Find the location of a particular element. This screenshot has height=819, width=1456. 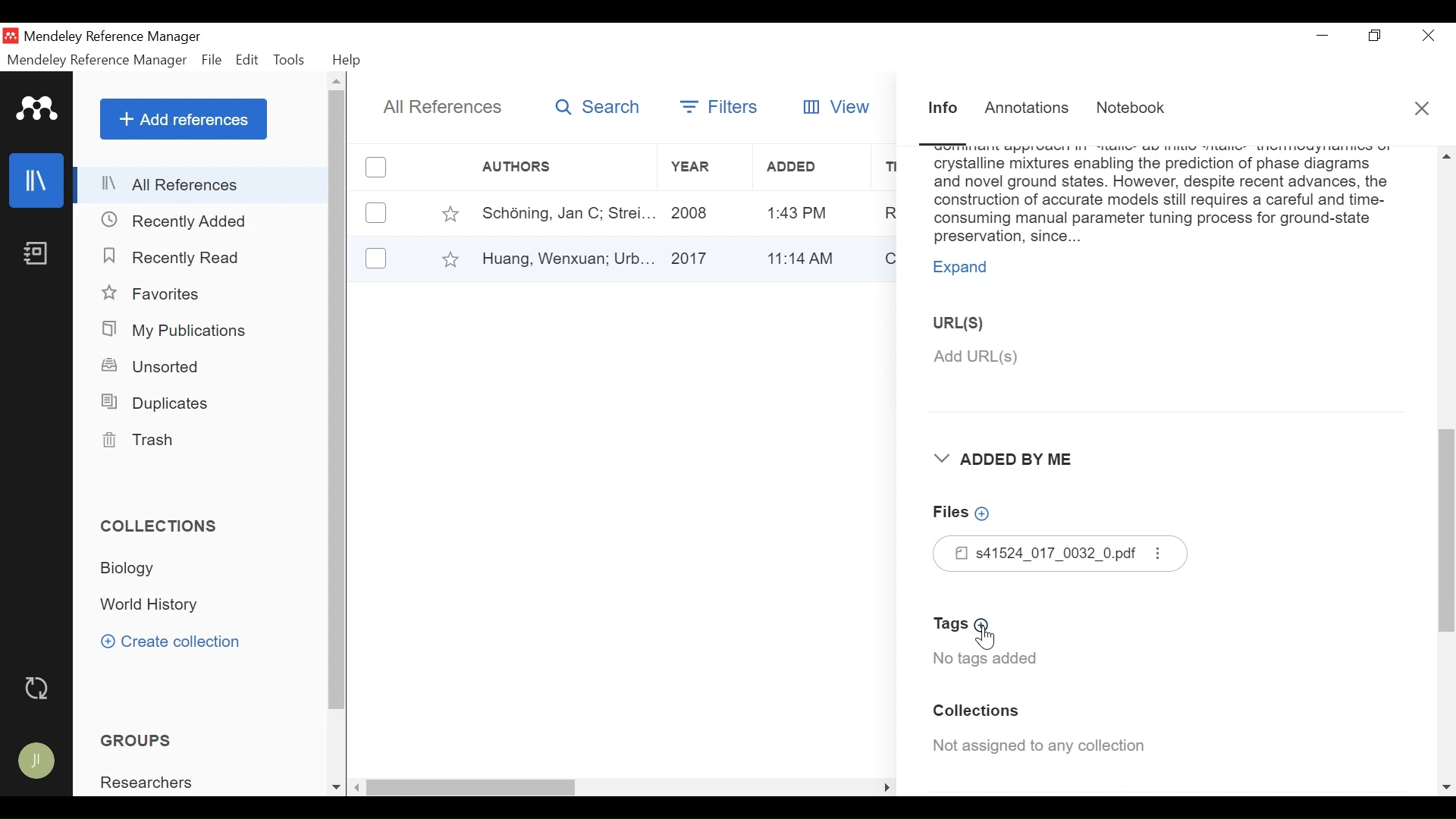

Add Files is located at coordinates (964, 513).